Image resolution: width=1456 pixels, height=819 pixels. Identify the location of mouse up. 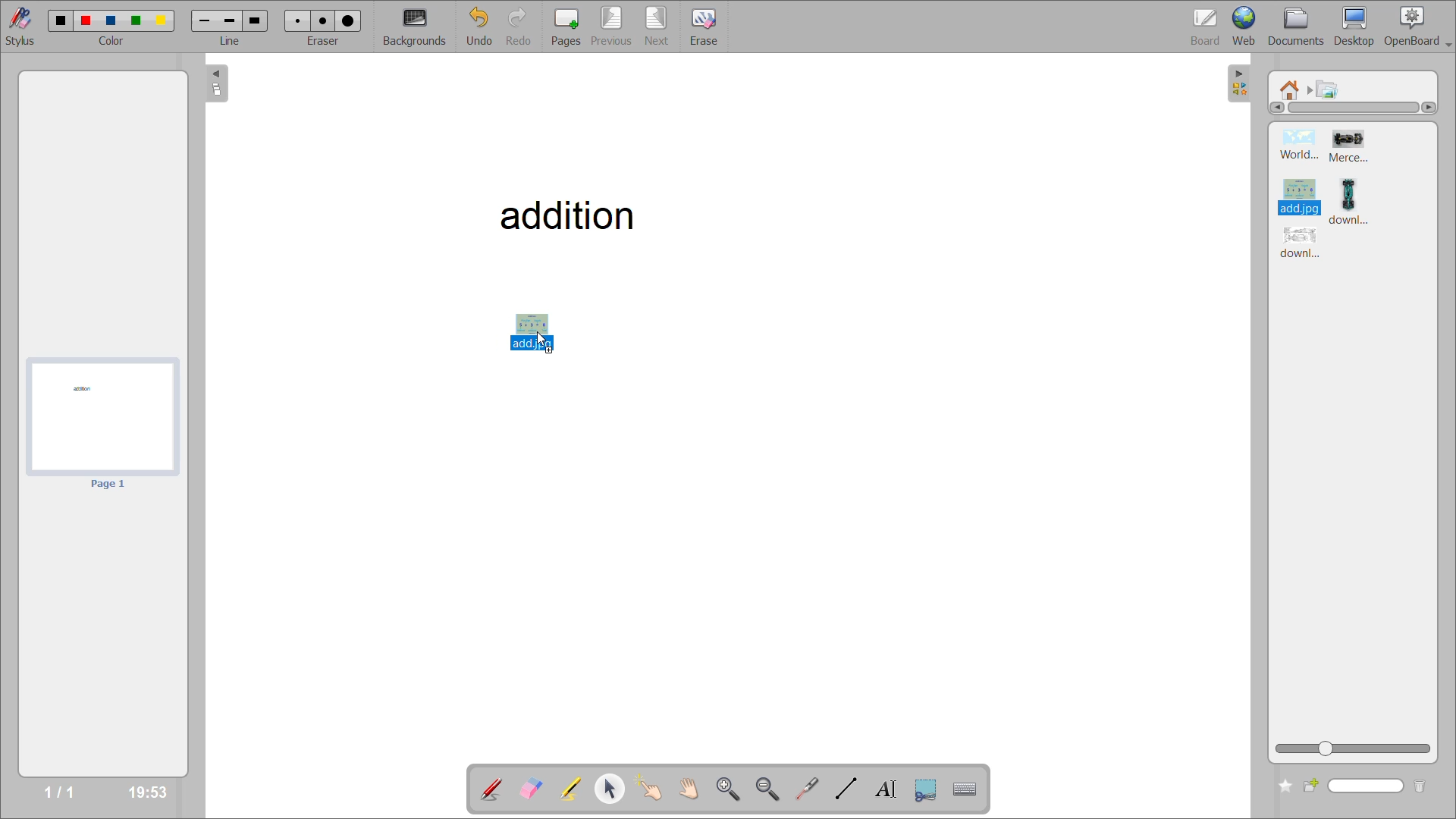
(541, 340).